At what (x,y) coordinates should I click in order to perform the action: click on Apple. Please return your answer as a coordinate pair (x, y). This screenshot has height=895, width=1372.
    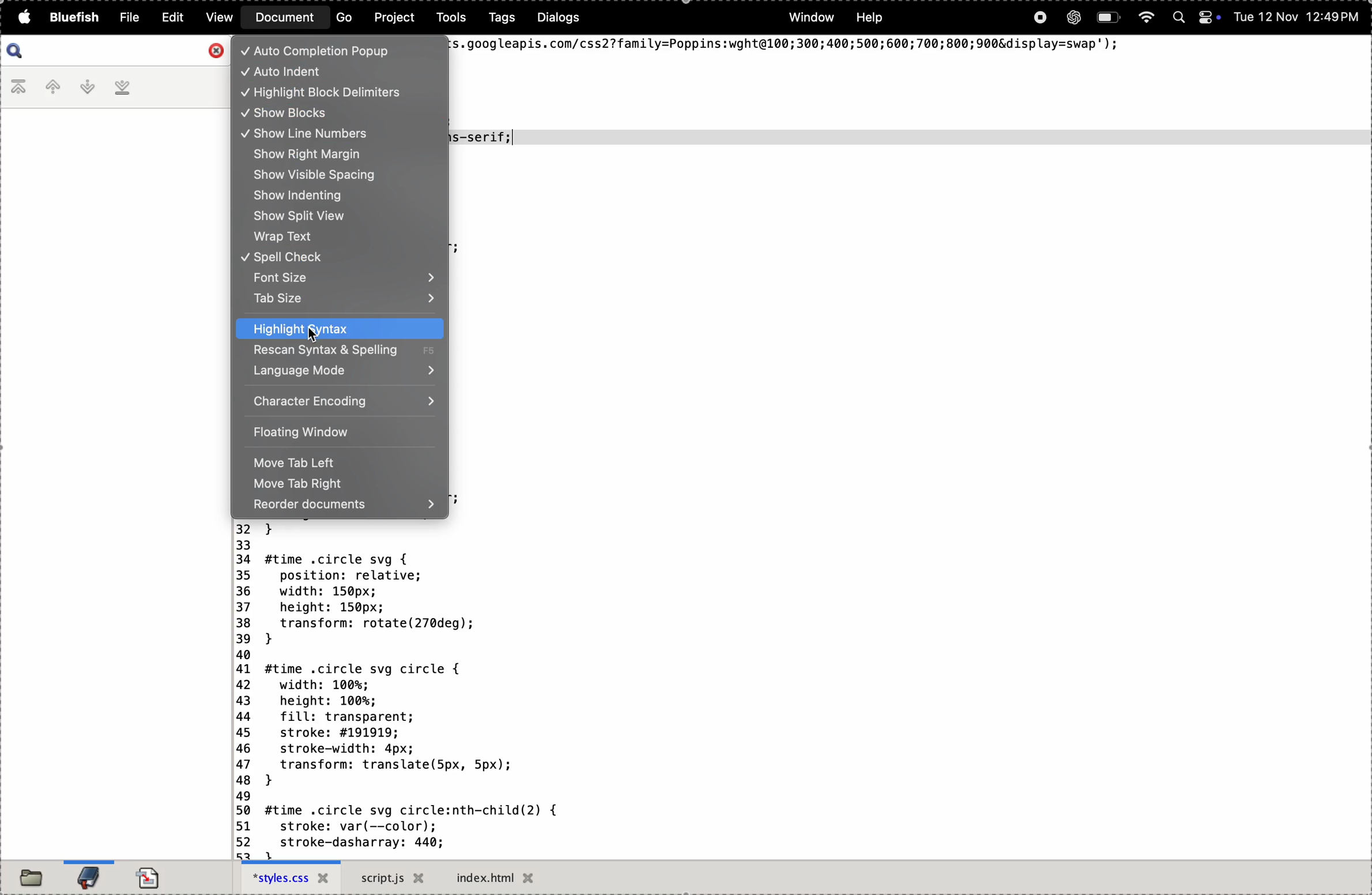
    Looking at the image, I should click on (22, 18).